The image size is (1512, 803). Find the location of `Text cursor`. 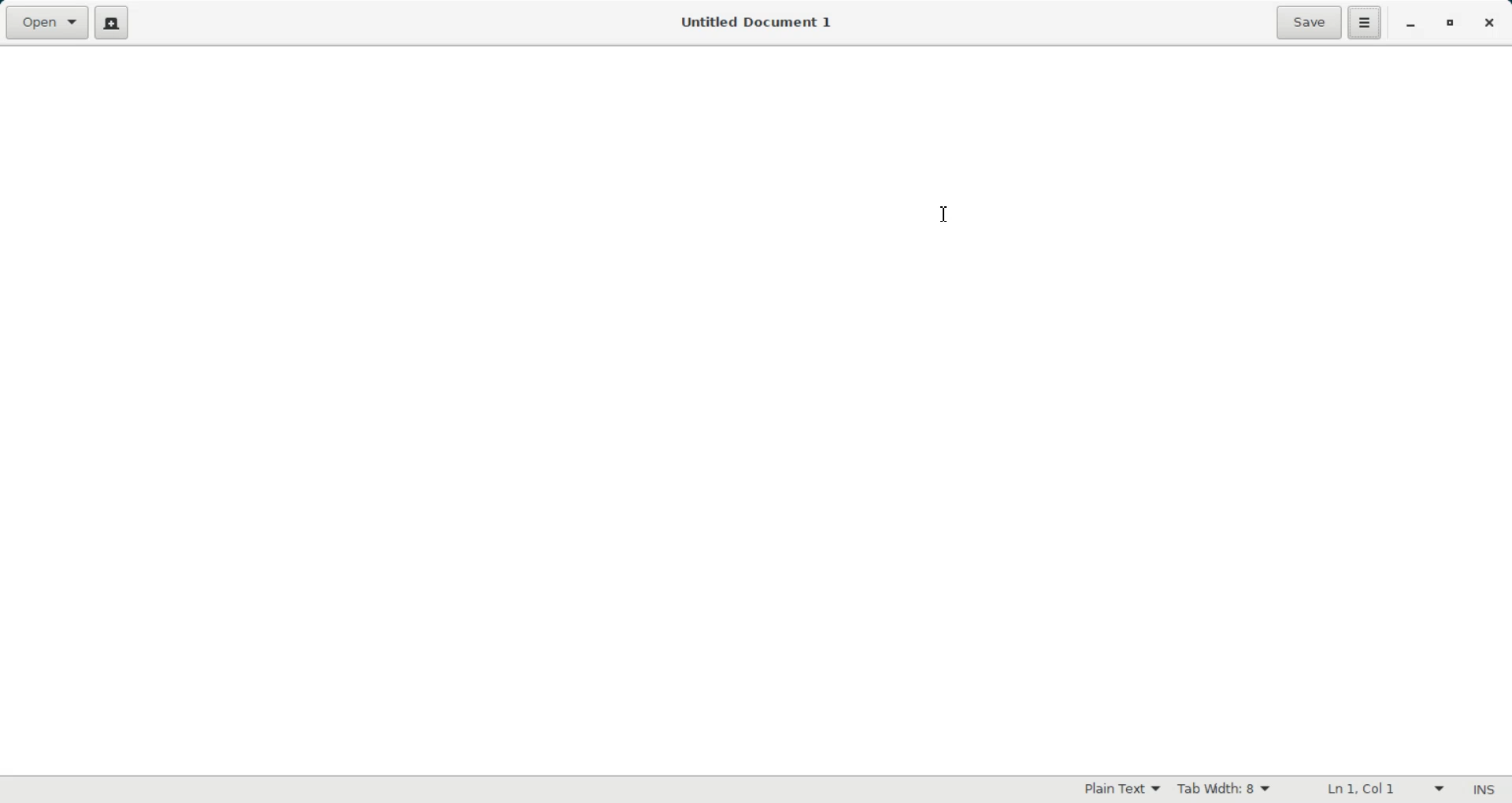

Text cursor is located at coordinates (947, 213).